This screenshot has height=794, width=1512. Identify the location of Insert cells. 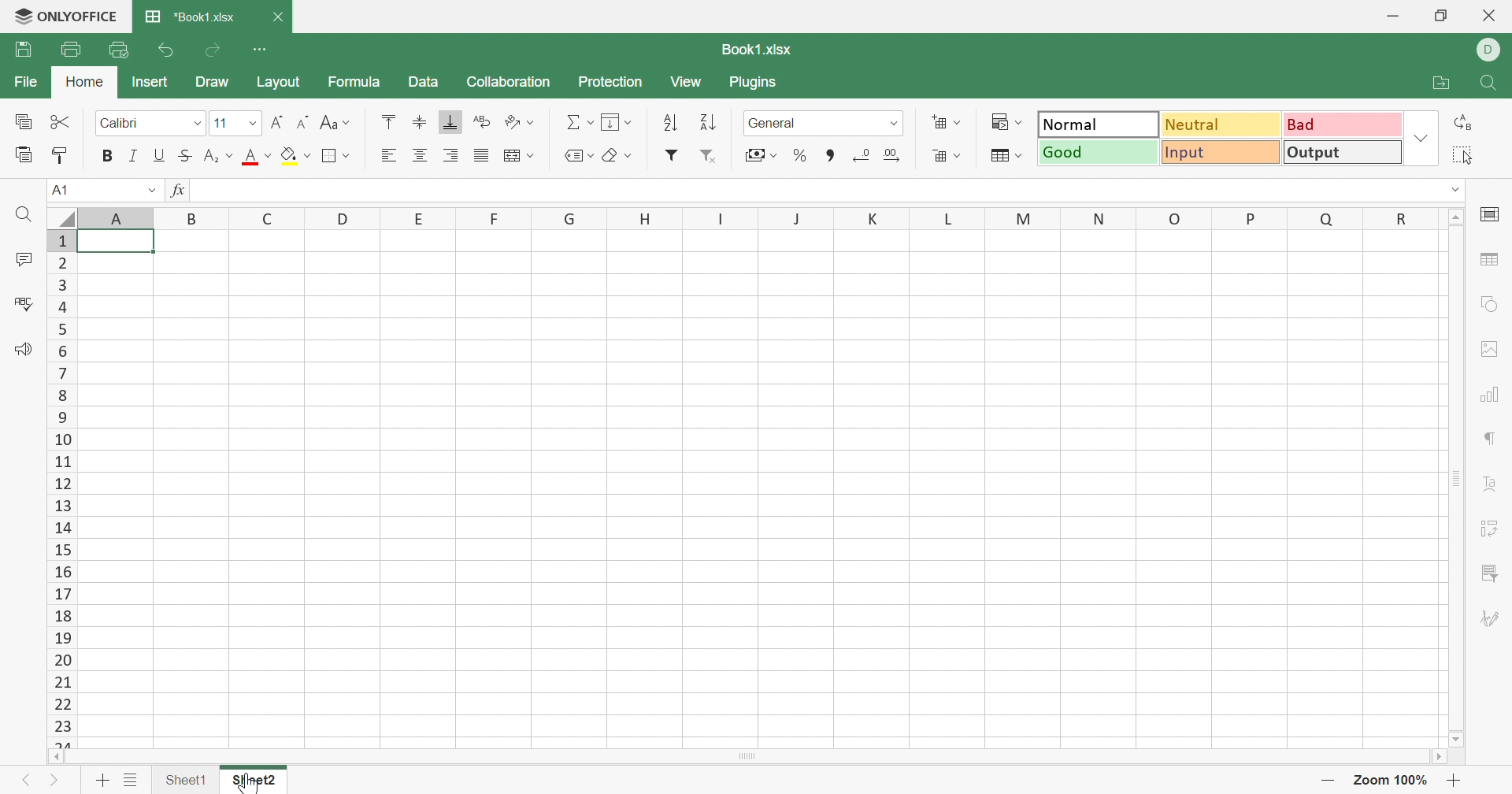
(939, 122).